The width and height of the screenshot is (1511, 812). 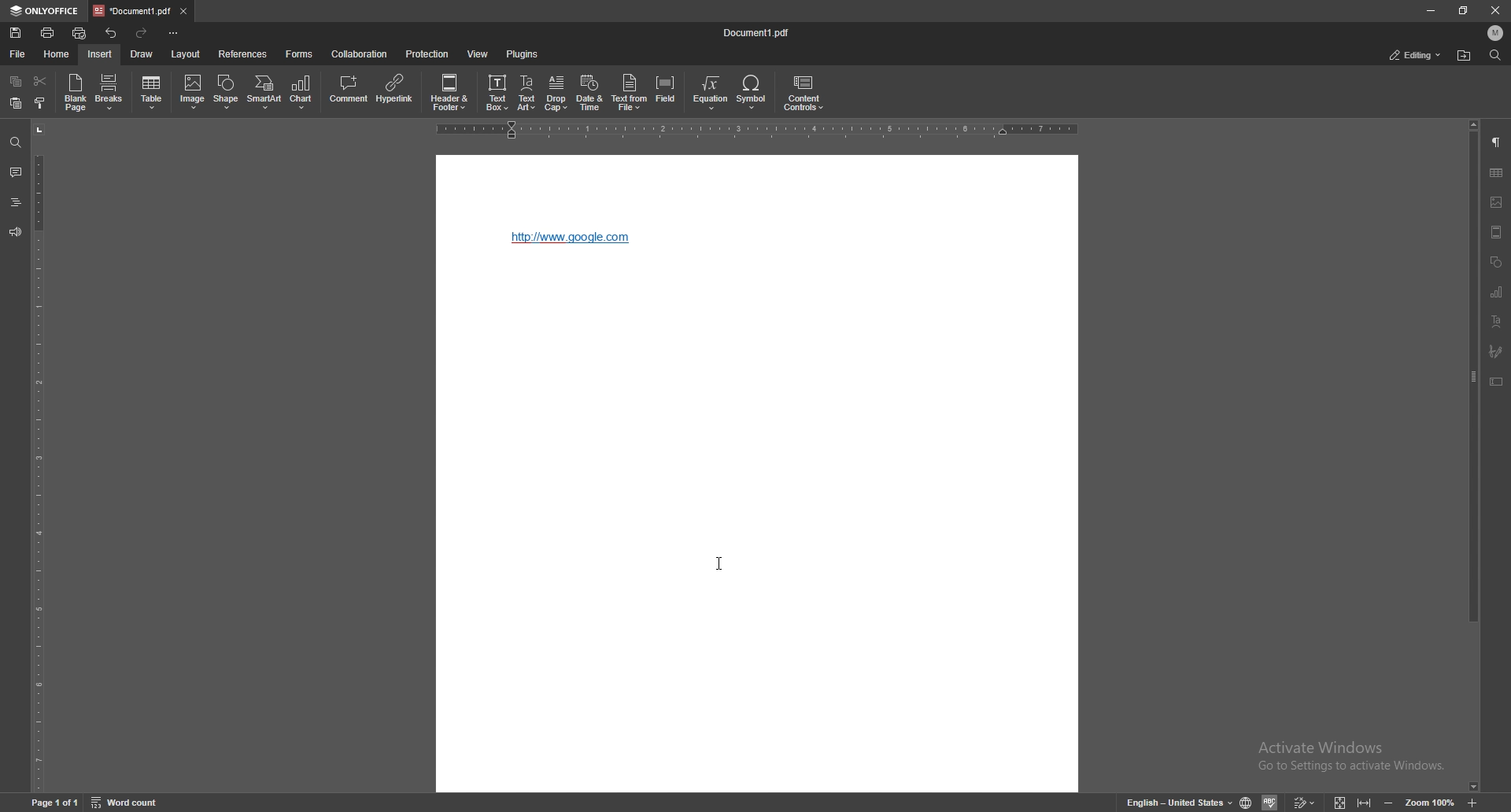 I want to click on track changes, so click(x=1306, y=802).